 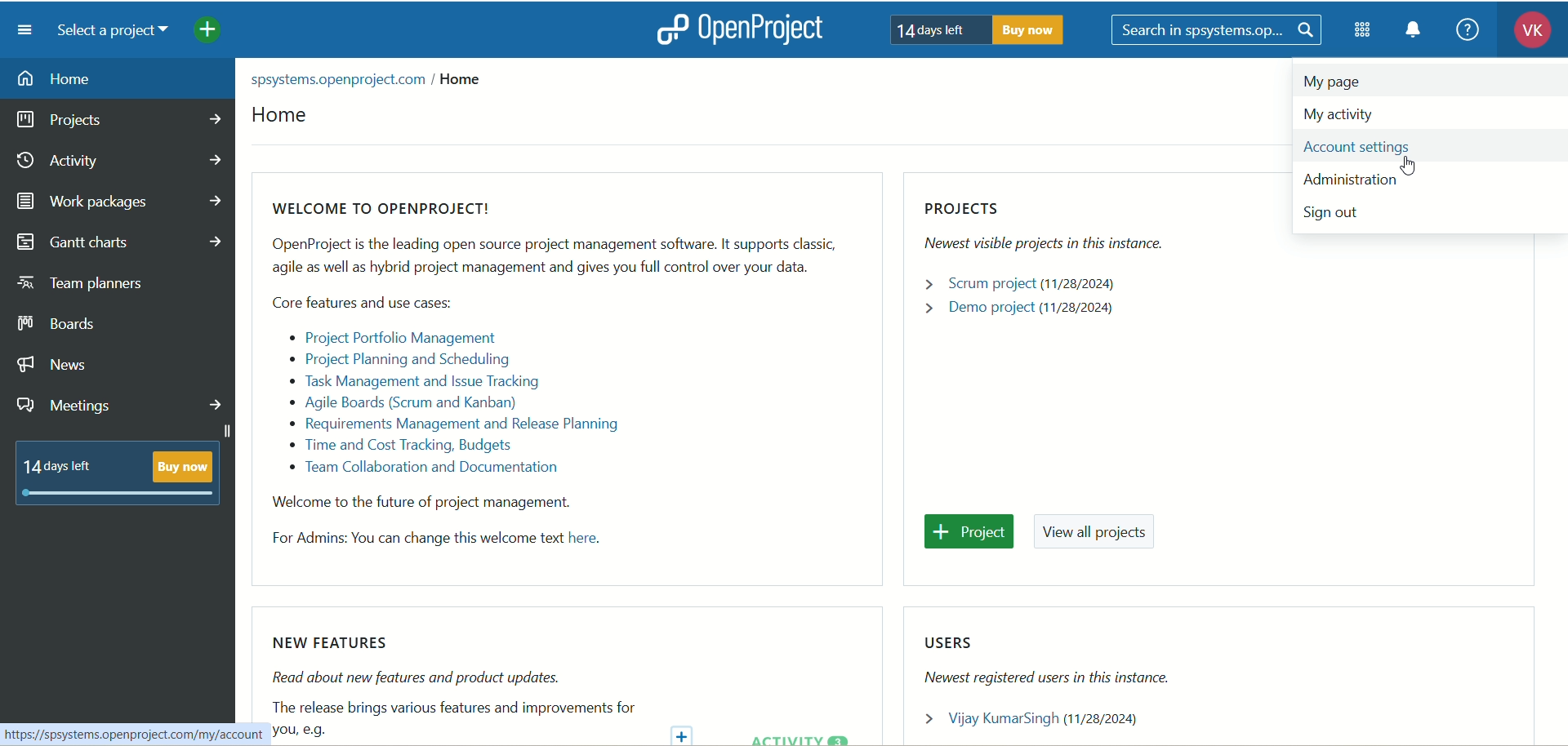 What do you see at coordinates (1526, 33) in the screenshot?
I see `account` at bounding box center [1526, 33].